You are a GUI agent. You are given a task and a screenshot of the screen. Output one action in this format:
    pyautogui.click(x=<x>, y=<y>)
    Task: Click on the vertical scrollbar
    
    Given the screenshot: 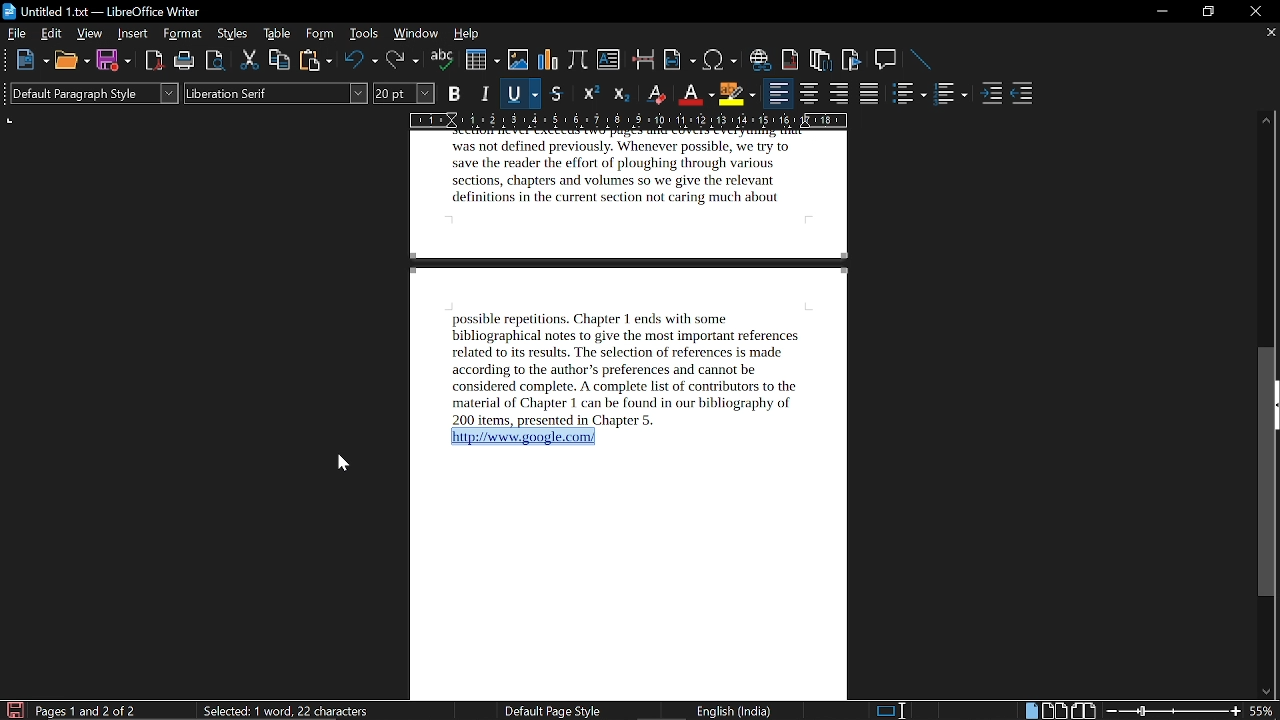 What is the action you would take?
    pyautogui.click(x=1267, y=474)
    